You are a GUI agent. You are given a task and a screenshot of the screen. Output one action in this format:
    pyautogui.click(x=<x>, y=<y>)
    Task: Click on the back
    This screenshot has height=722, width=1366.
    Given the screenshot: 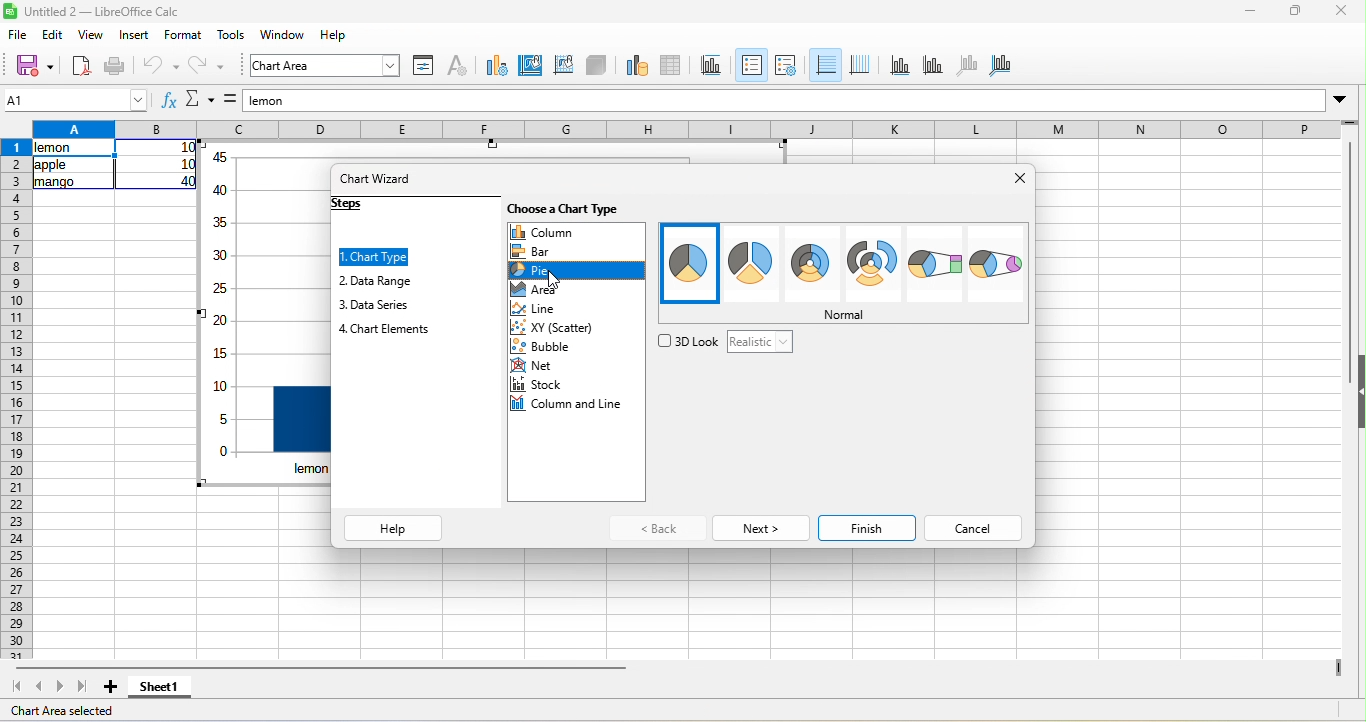 What is the action you would take?
    pyautogui.click(x=654, y=529)
    